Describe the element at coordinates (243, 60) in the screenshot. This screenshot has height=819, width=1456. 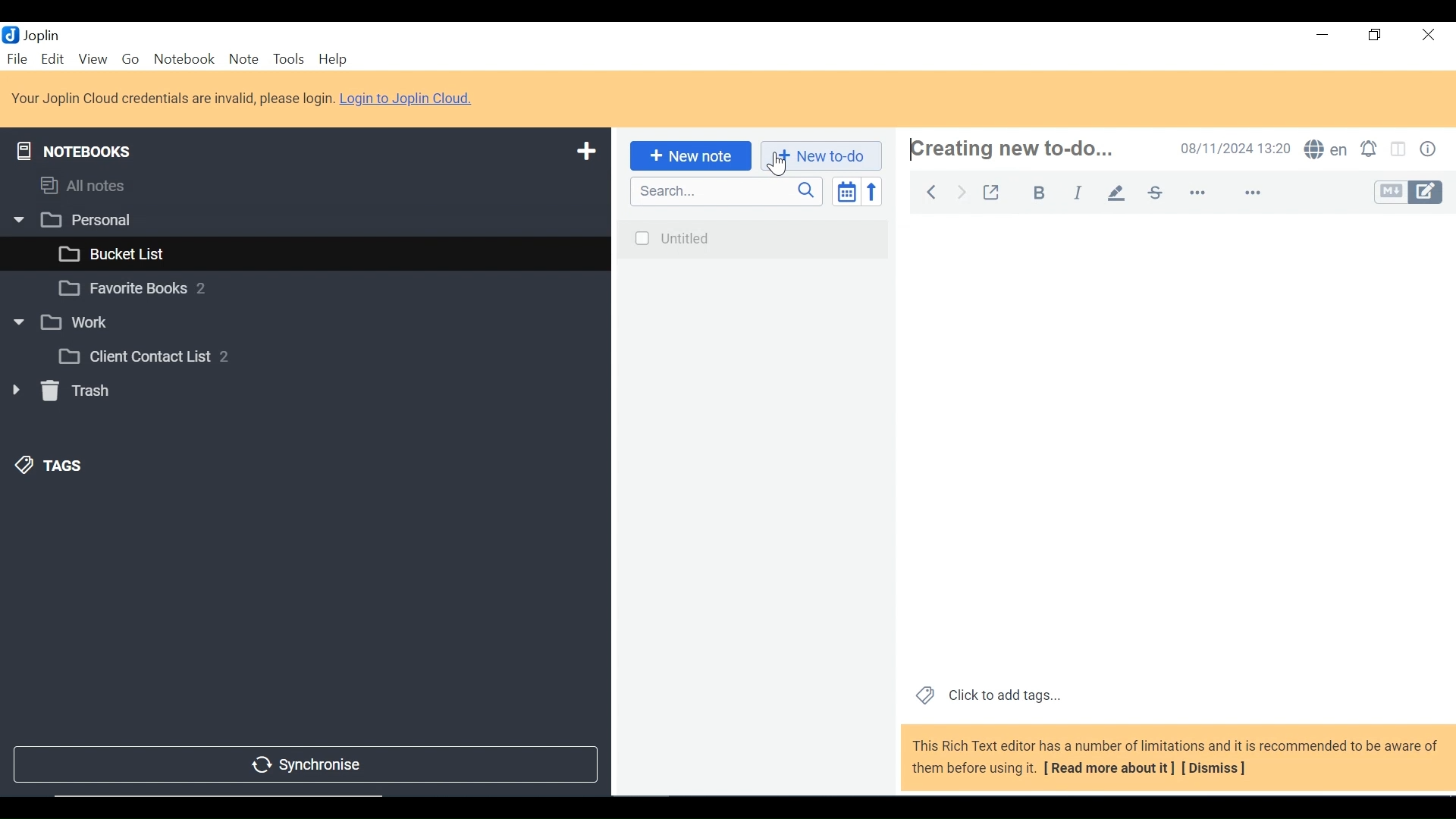
I see `Note` at that location.